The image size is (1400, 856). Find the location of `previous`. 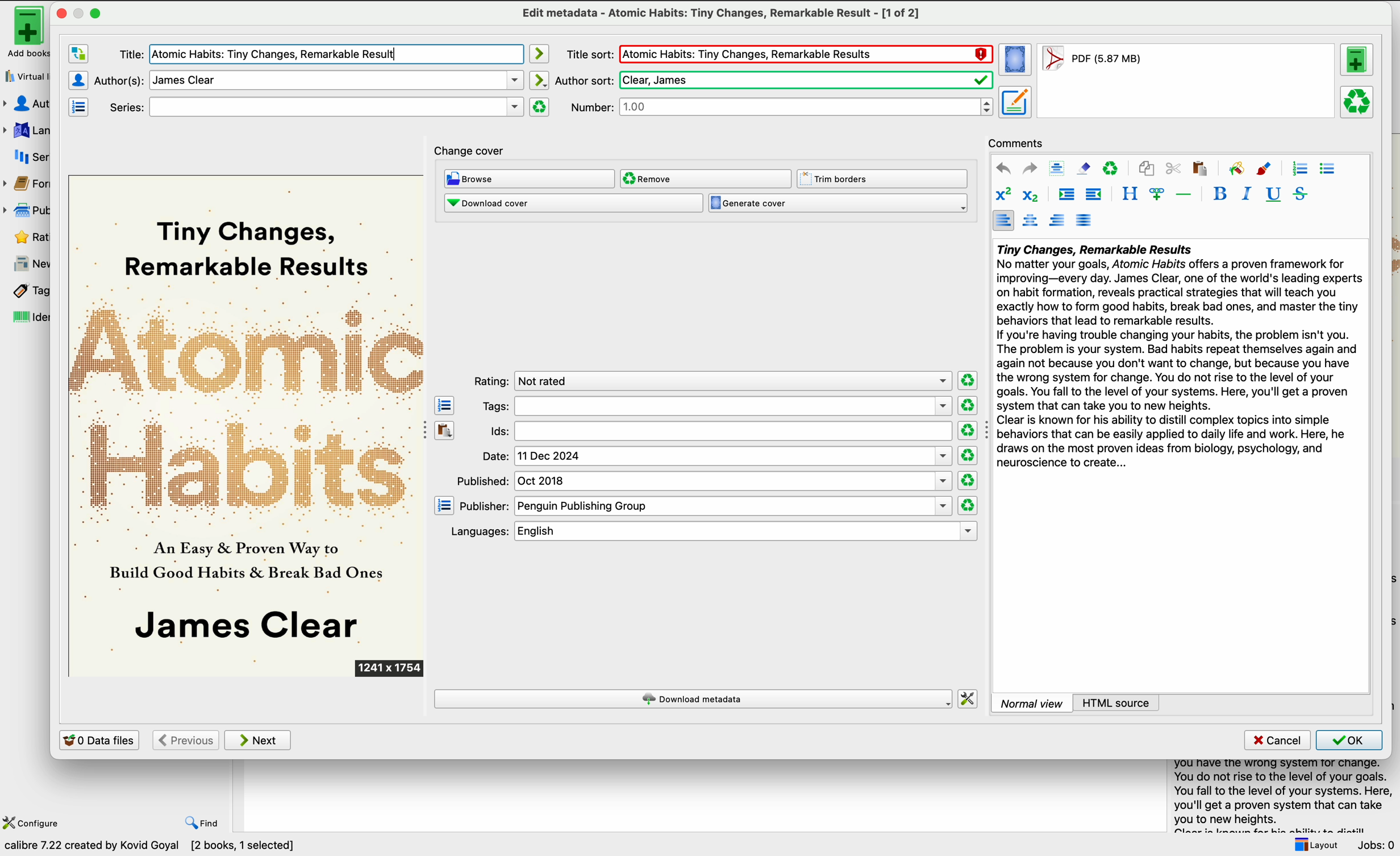

previous is located at coordinates (185, 740).